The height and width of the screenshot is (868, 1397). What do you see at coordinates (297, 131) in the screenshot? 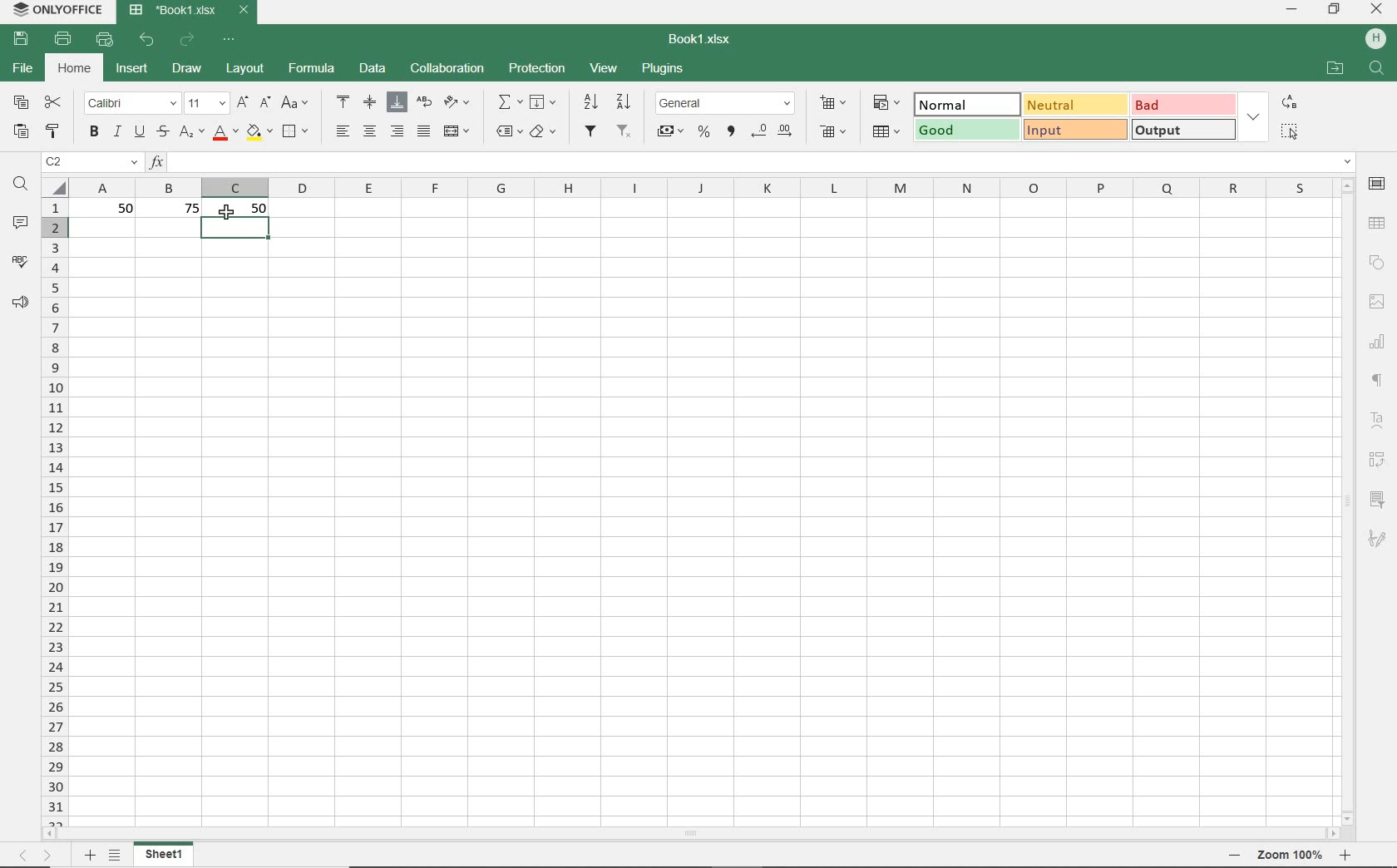
I see `borders` at bounding box center [297, 131].